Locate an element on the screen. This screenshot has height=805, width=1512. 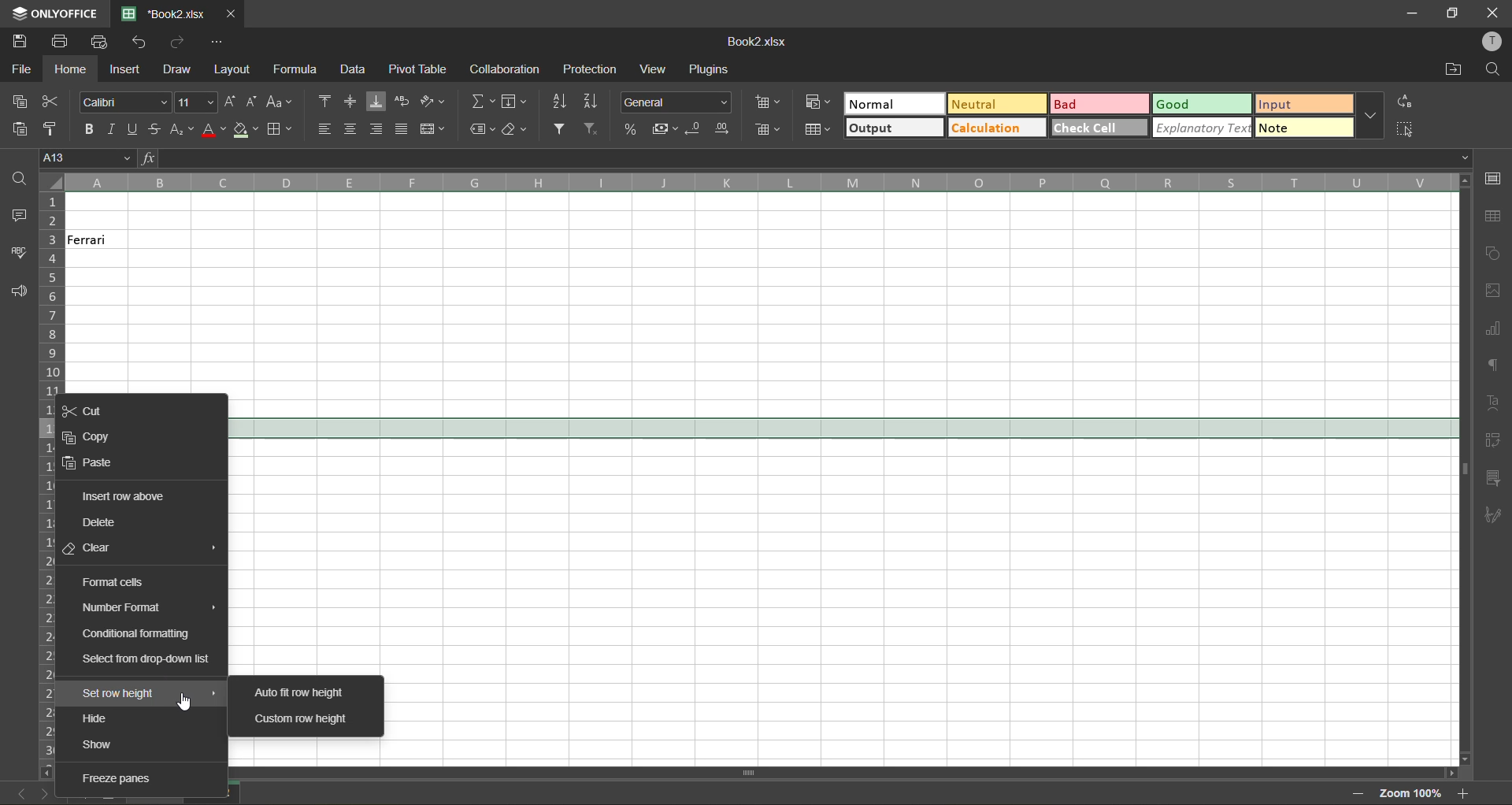
bold is located at coordinates (88, 130).